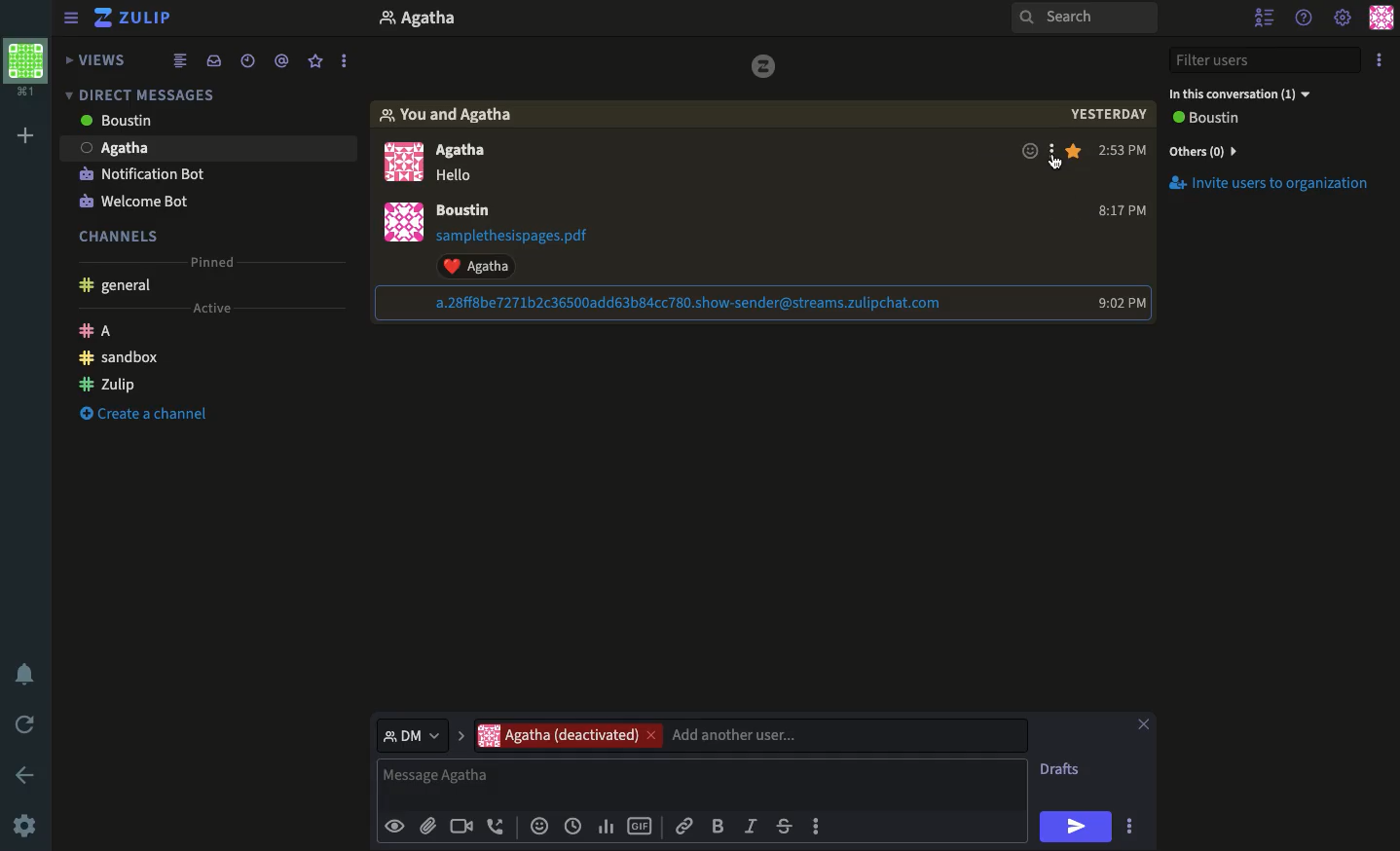  What do you see at coordinates (284, 58) in the screenshot?
I see `Tag` at bounding box center [284, 58].